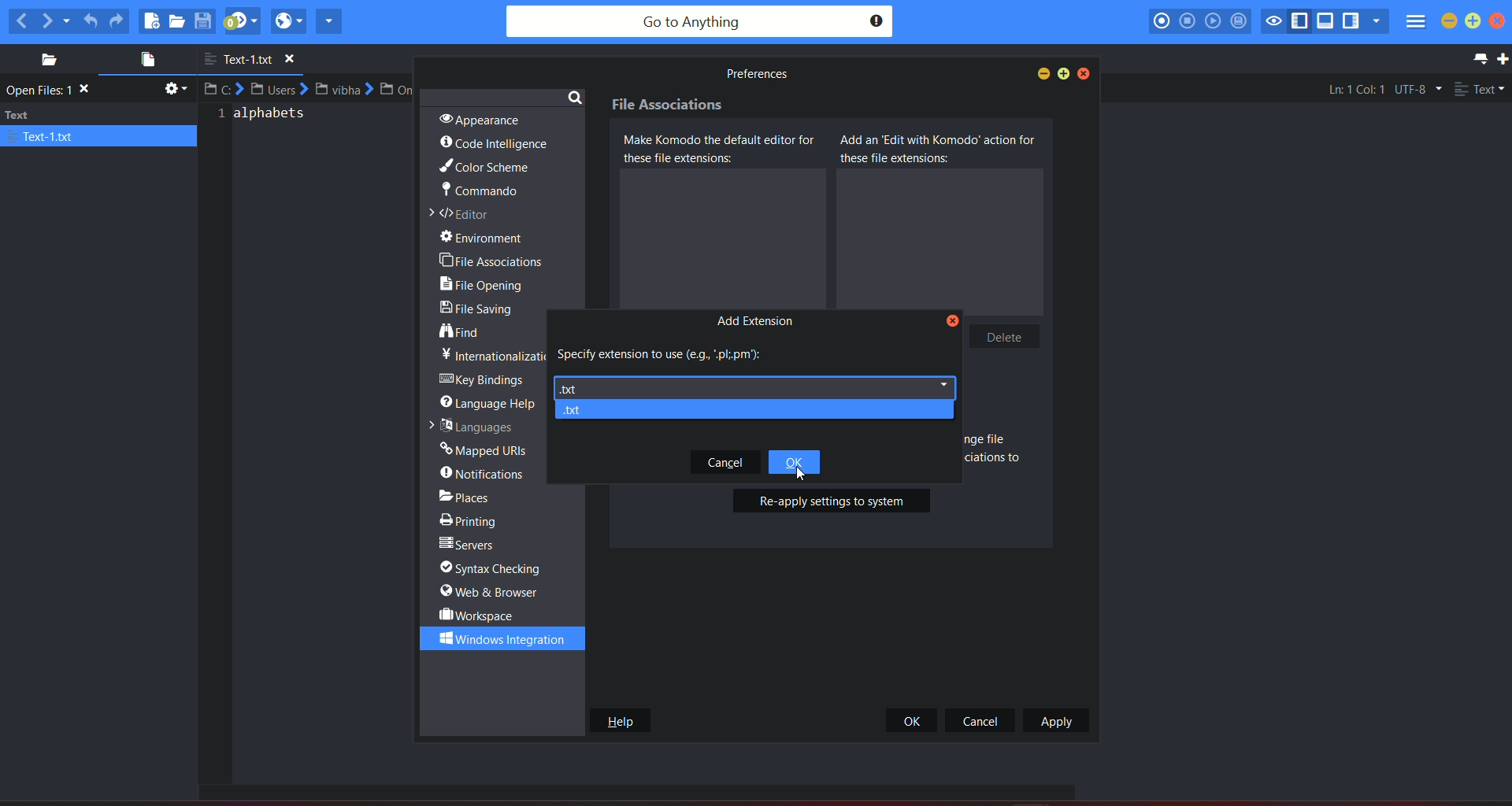 The image size is (1512, 806). Describe the element at coordinates (1351, 23) in the screenshot. I see `show/hide right pane` at that location.